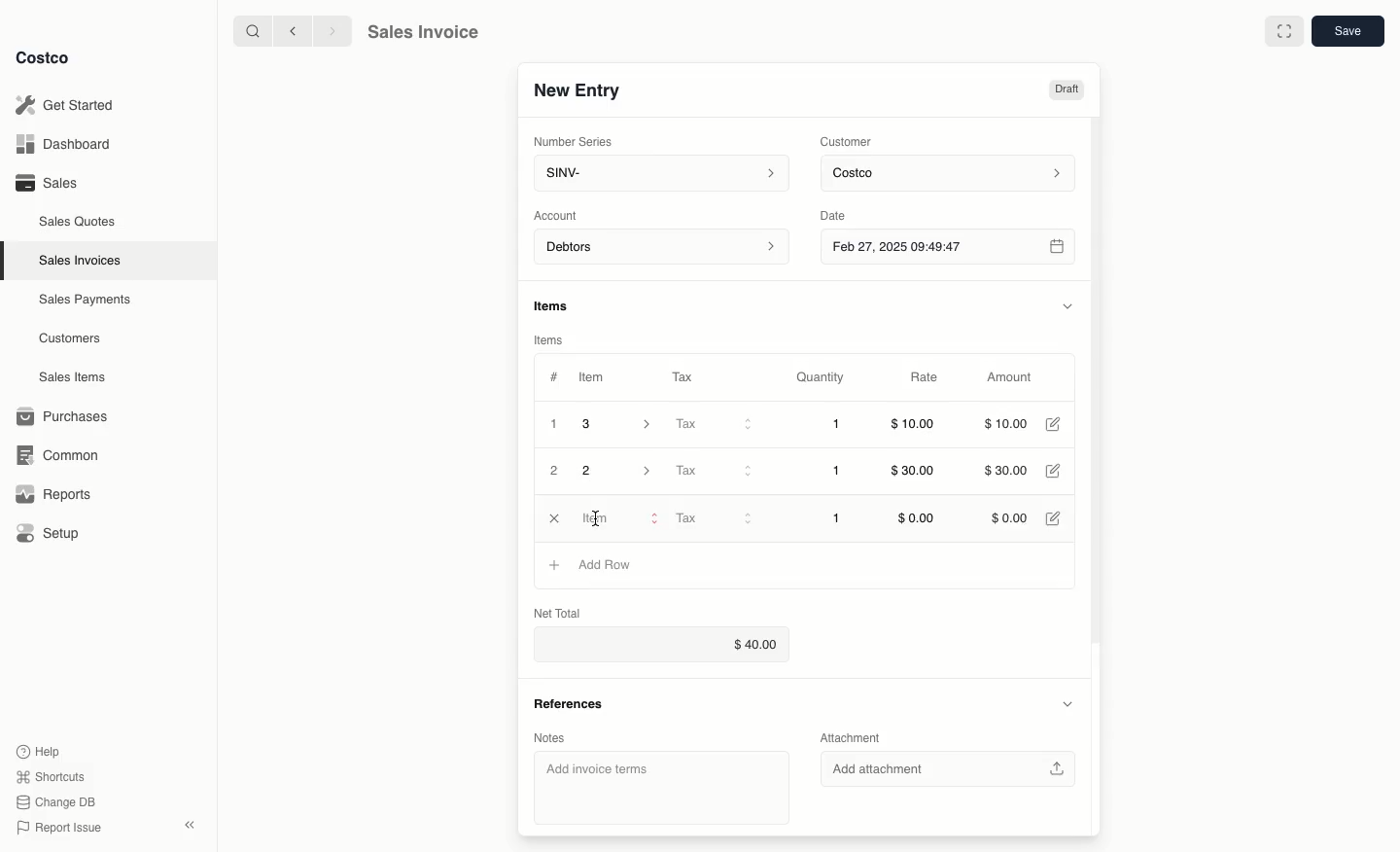  What do you see at coordinates (595, 521) in the screenshot?
I see `cursor` at bounding box center [595, 521].